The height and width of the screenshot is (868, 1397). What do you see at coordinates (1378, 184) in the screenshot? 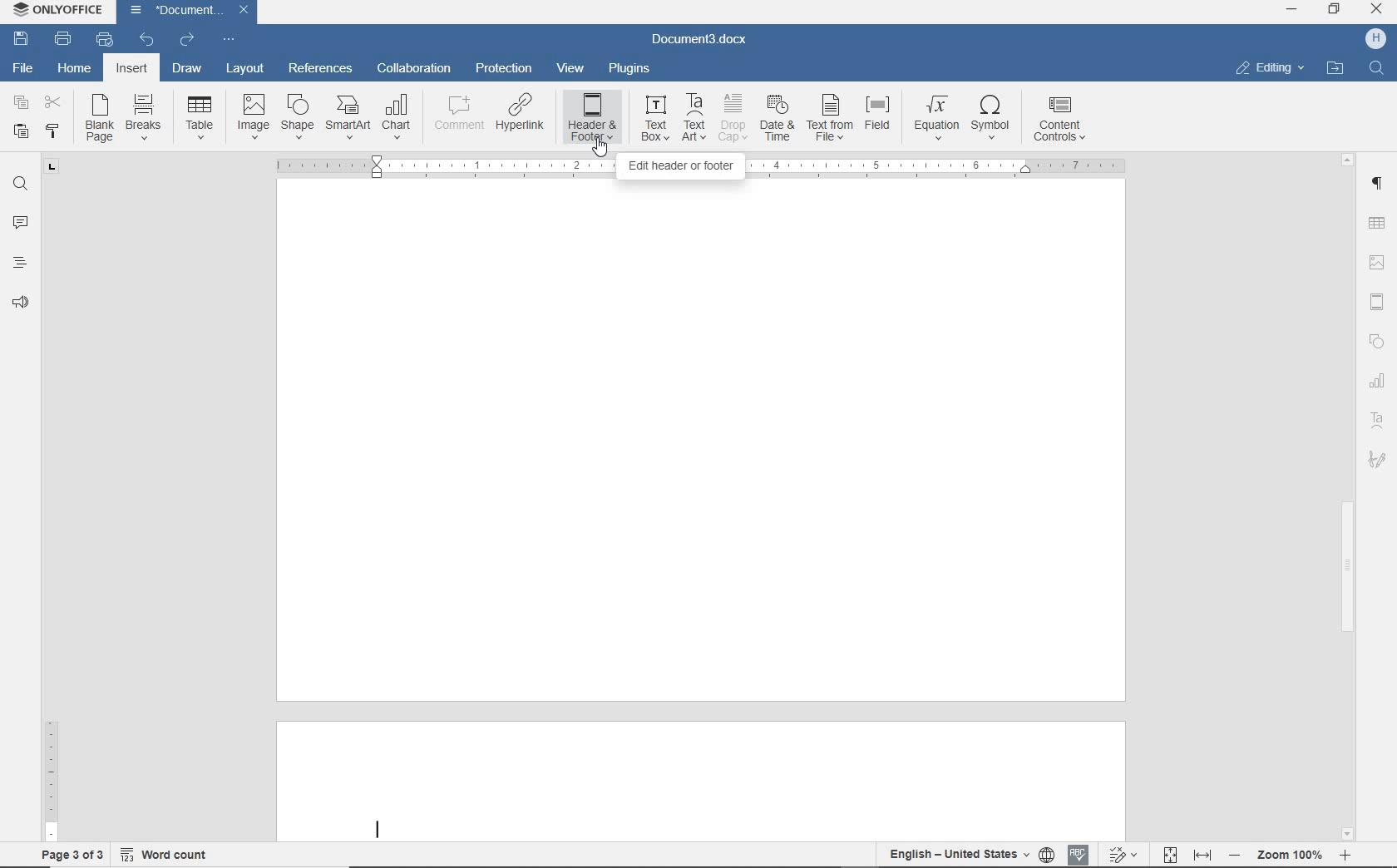
I see `PARAGRAPH SETTINGS` at bounding box center [1378, 184].